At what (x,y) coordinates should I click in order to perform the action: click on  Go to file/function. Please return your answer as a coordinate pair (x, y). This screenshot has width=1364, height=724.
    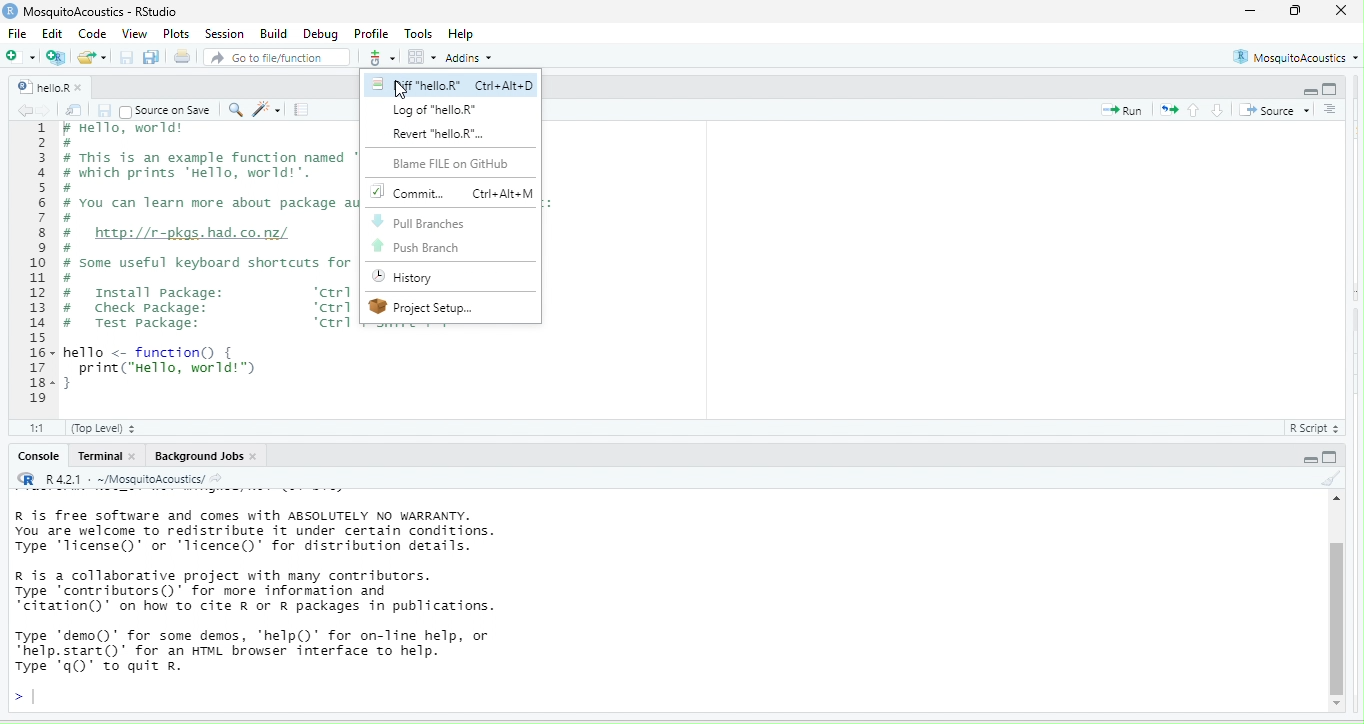
    Looking at the image, I should click on (275, 58).